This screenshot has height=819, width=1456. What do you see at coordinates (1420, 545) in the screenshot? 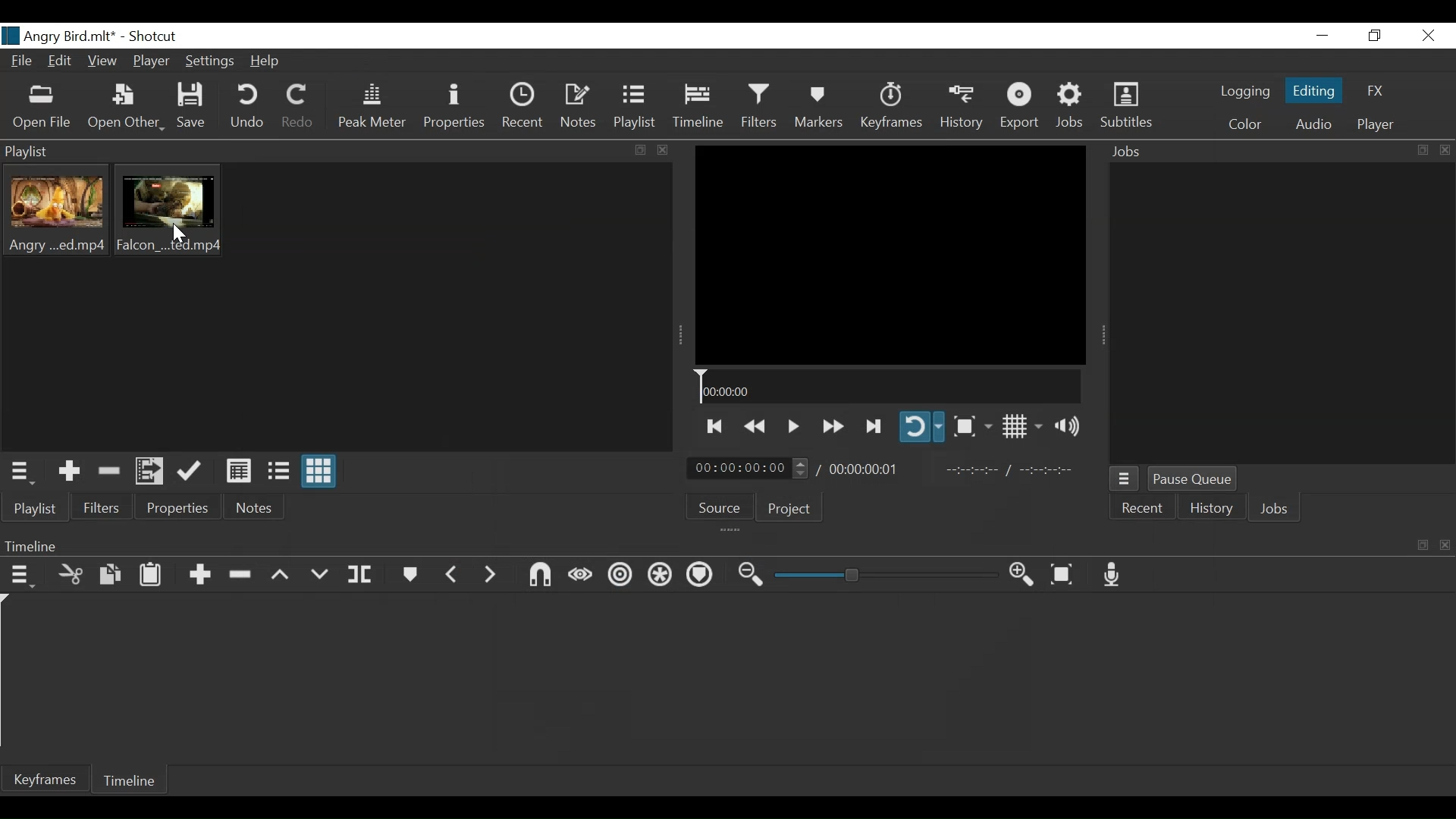
I see `copy` at bounding box center [1420, 545].